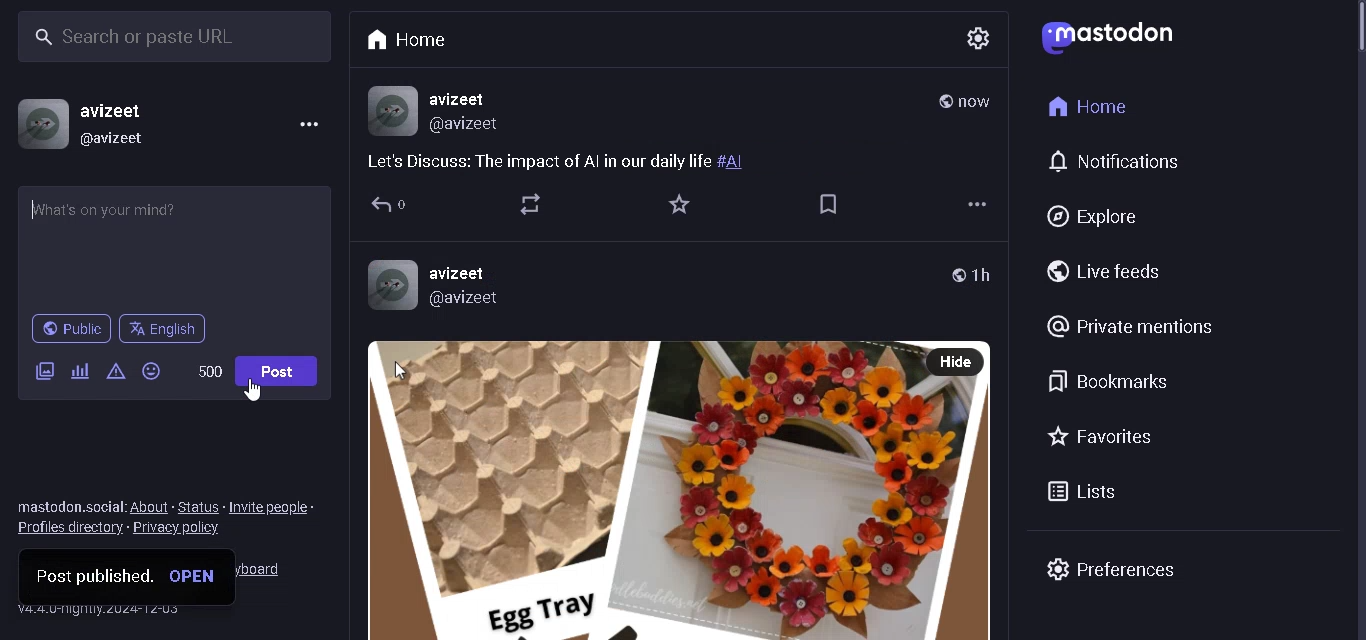  What do you see at coordinates (468, 127) in the screenshot?
I see `@username` at bounding box center [468, 127].